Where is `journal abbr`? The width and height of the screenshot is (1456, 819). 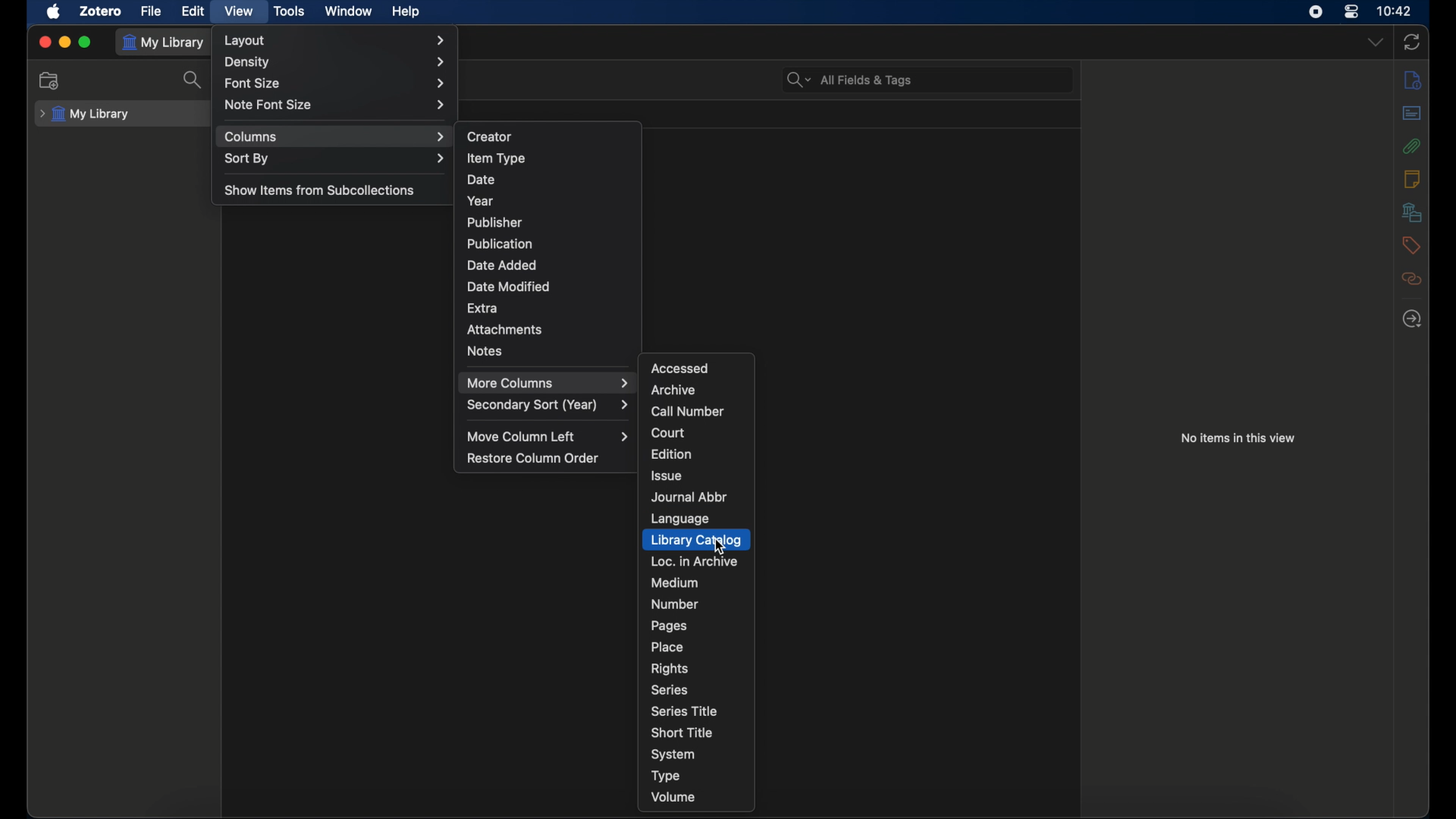 journal abbr is located at coordinates (691, 497).